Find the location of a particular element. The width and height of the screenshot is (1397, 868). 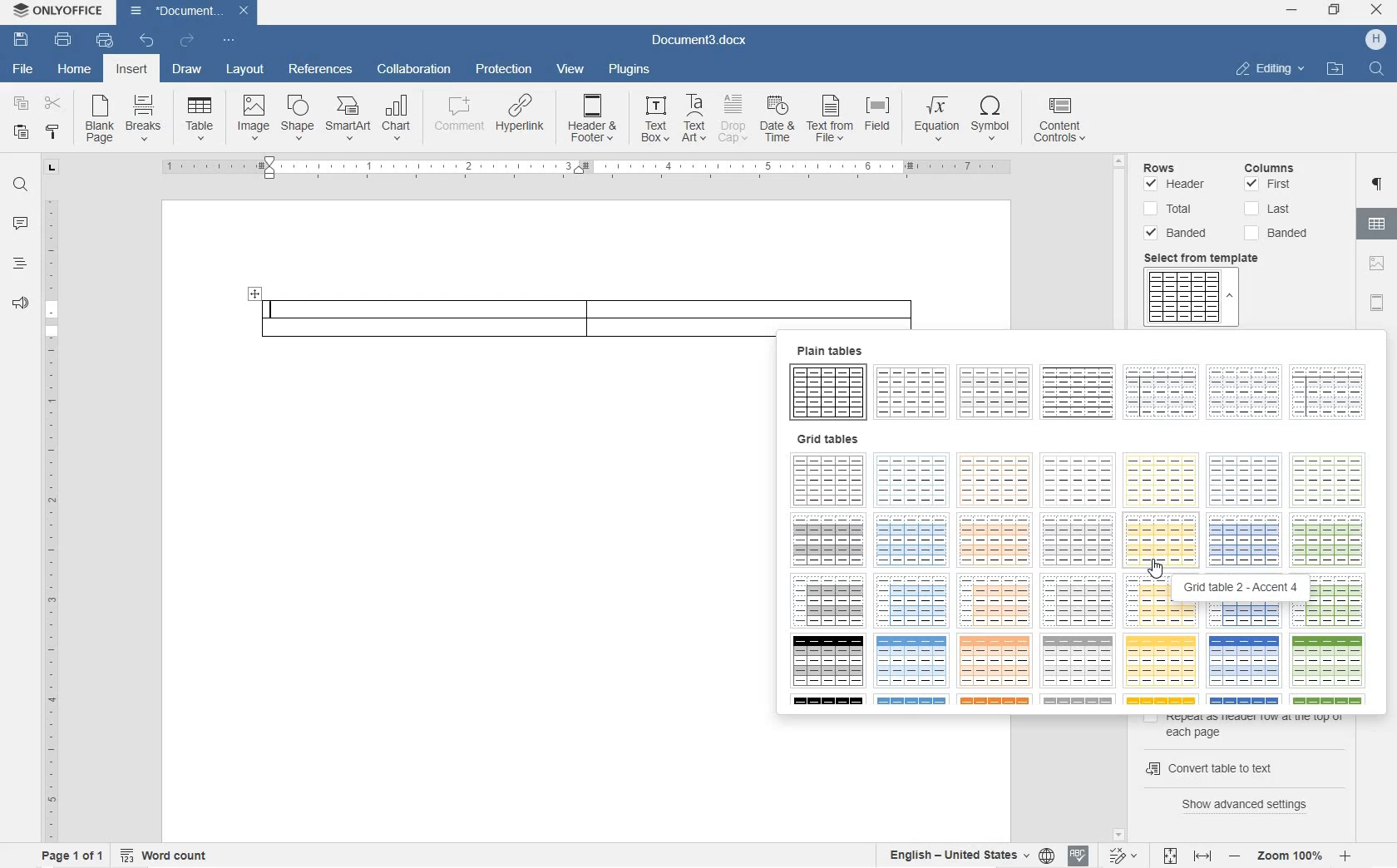

grid tables is located at coordinates (1085, 570).